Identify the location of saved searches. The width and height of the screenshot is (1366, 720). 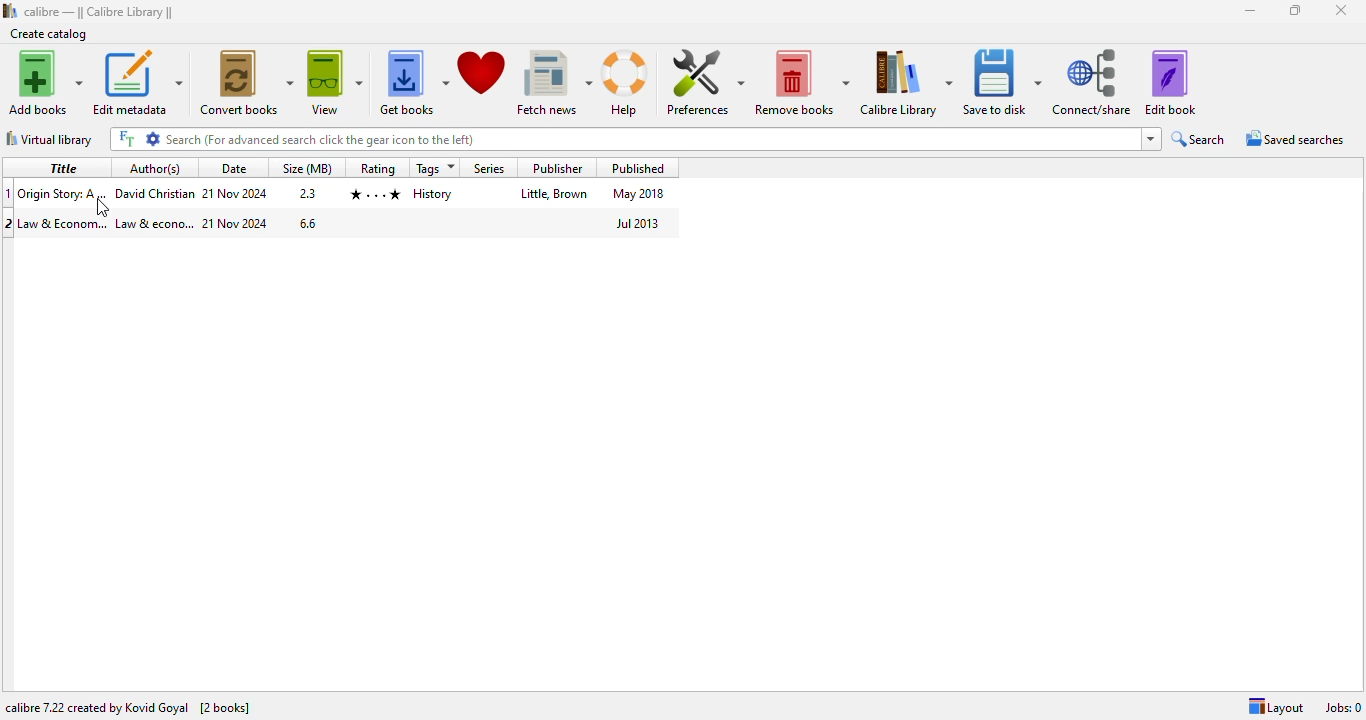
(1296, 137).